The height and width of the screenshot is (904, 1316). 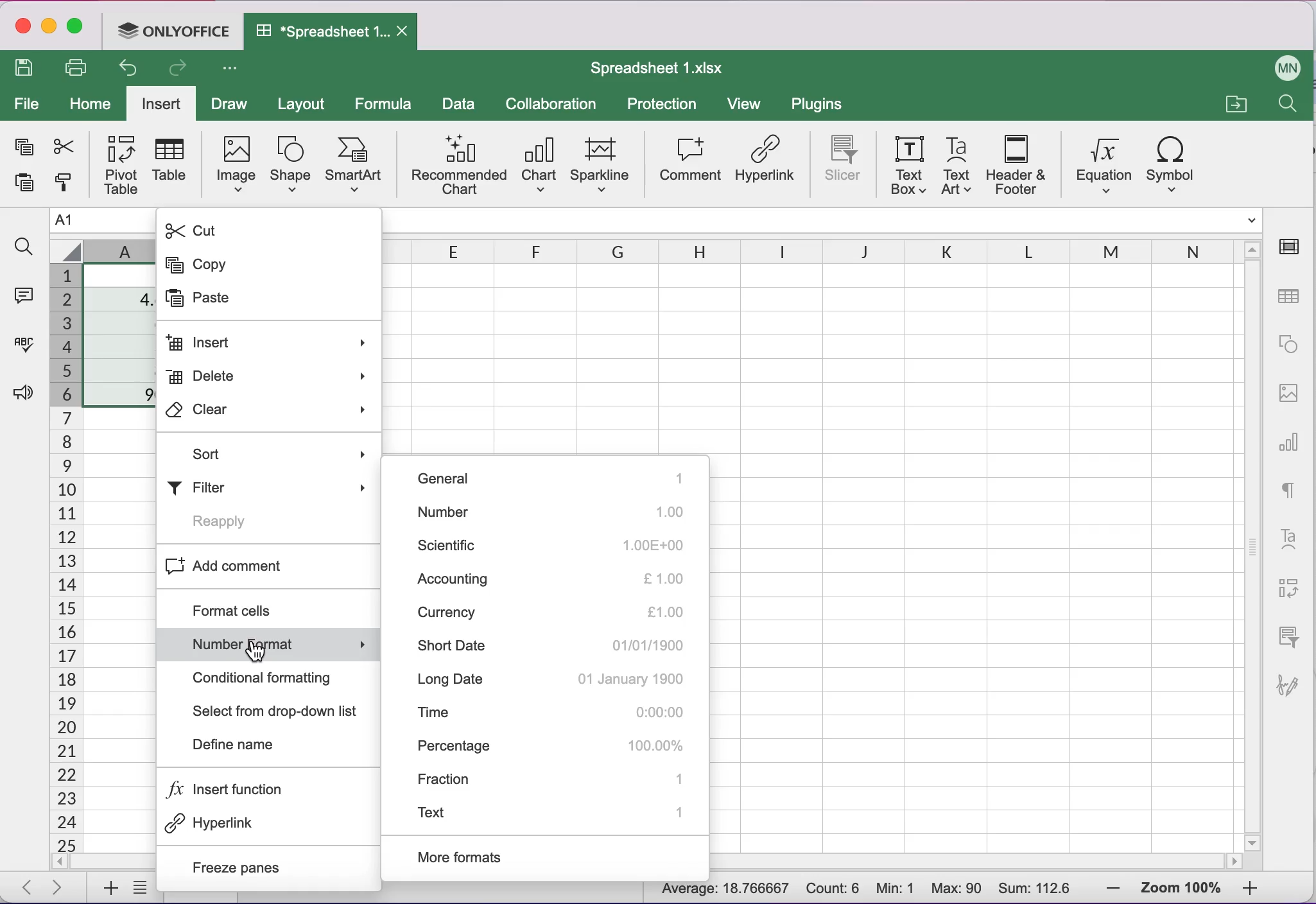 What do you see at coordinates (24, 248) in the screenshot?
I see `find` at bounding box center [24, 248].